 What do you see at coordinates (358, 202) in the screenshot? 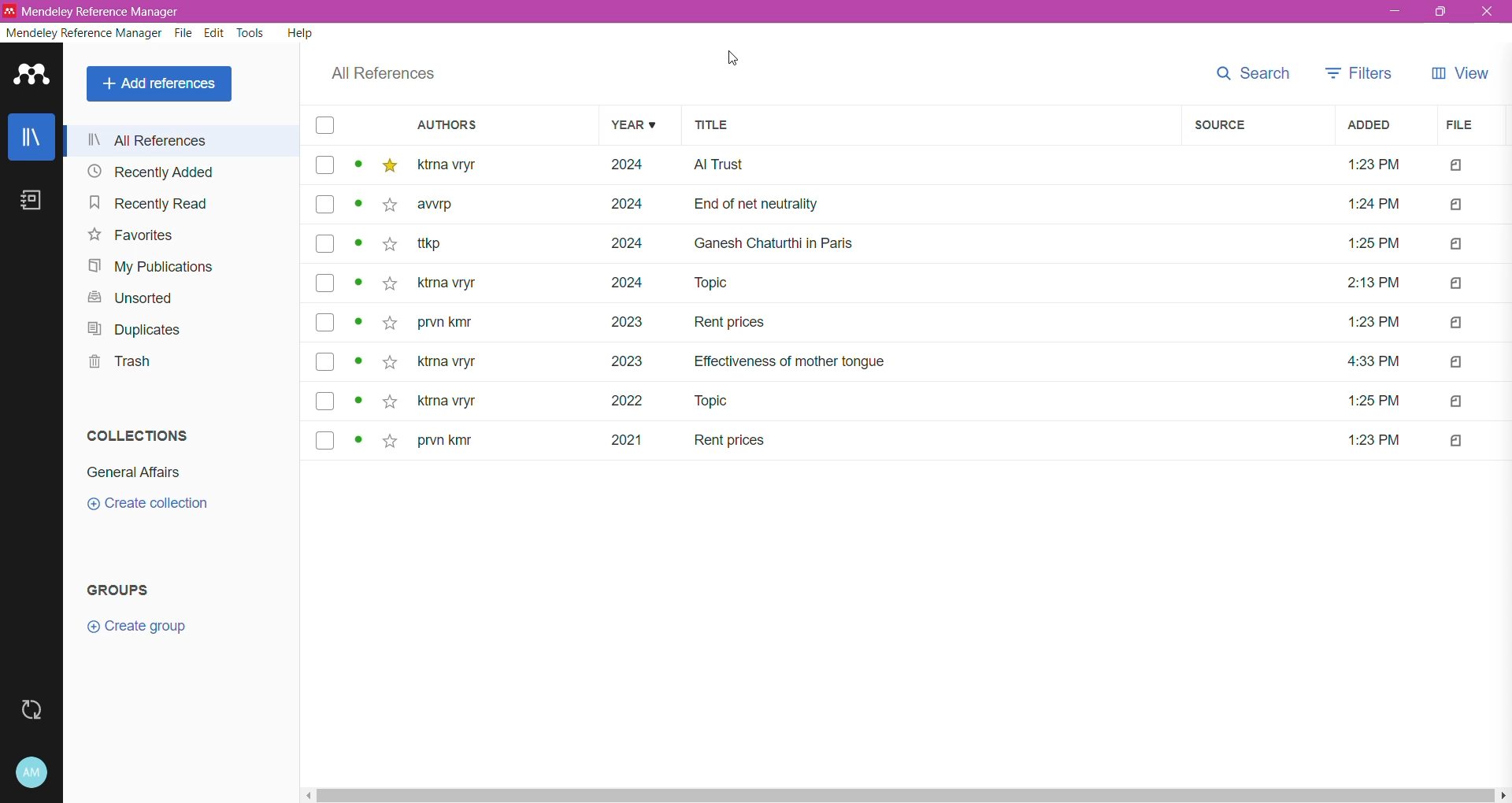
I see `unread` at bounding box center [358, 202].